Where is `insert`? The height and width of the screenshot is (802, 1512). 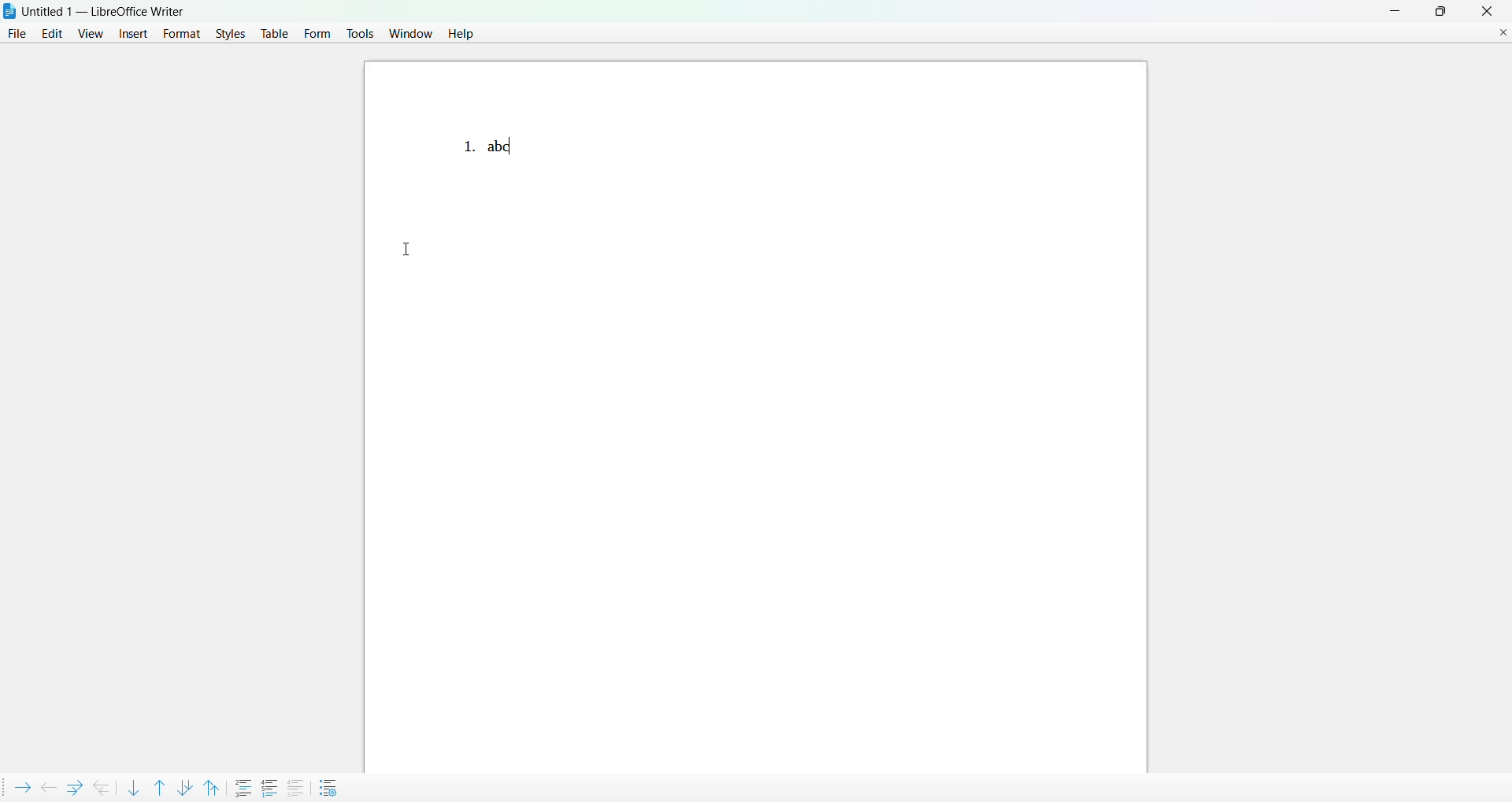 insert is located at coordinates (132, 33).